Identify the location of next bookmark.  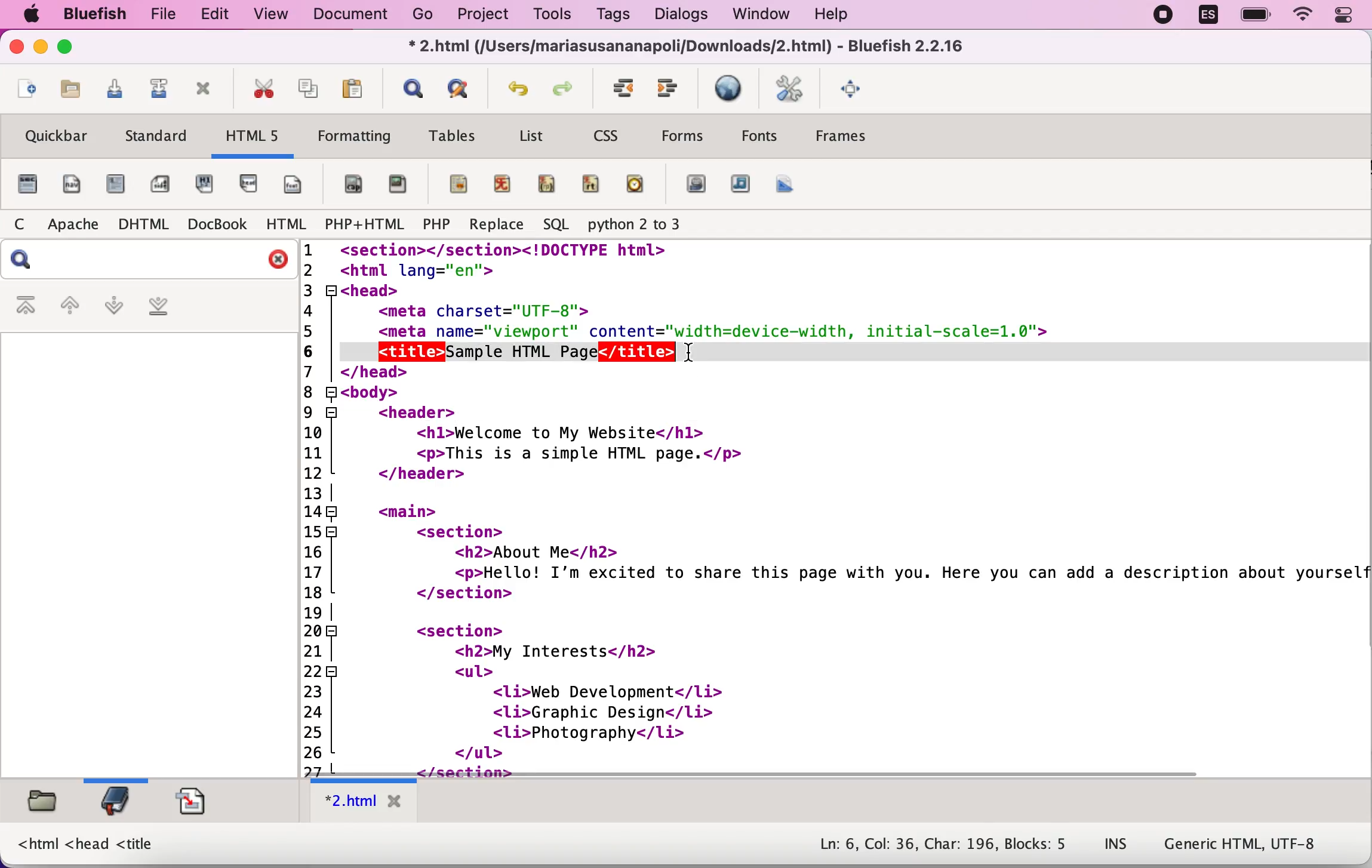
(115, 308).